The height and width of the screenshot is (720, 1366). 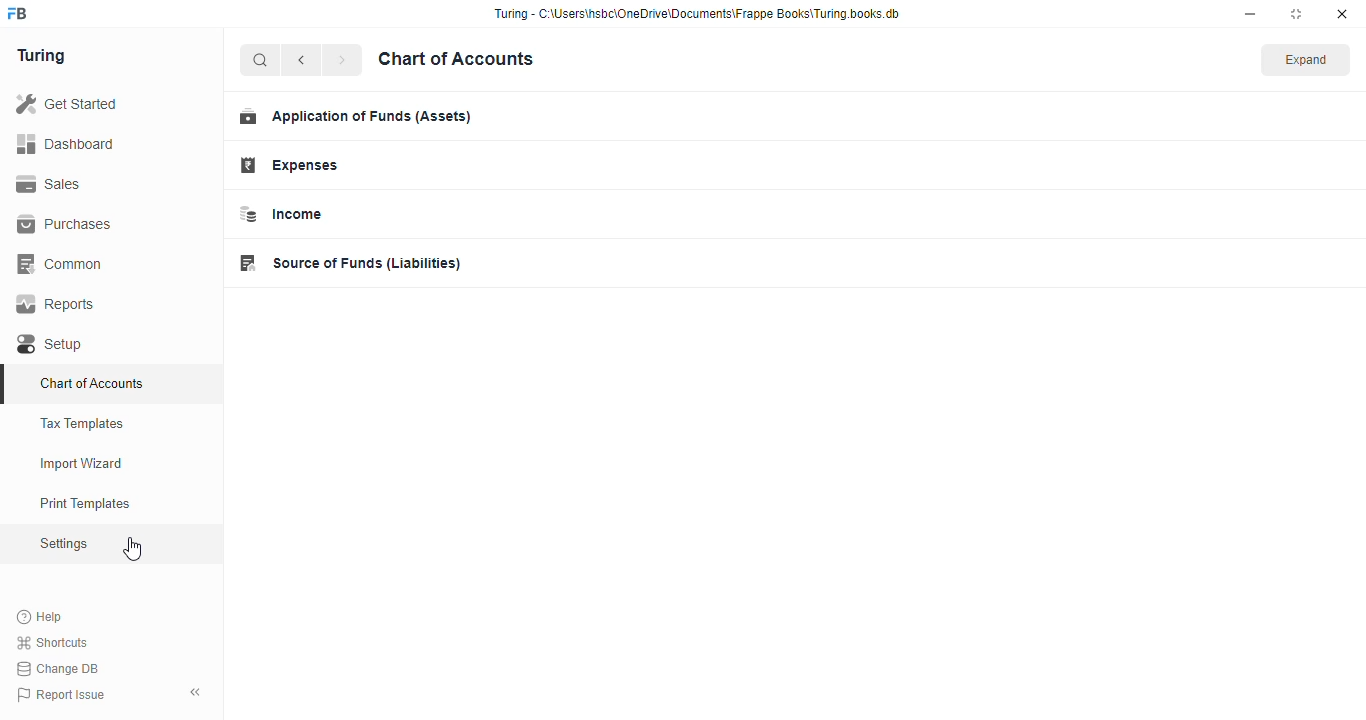 I want to click on settings, so click(x=66, y=545).